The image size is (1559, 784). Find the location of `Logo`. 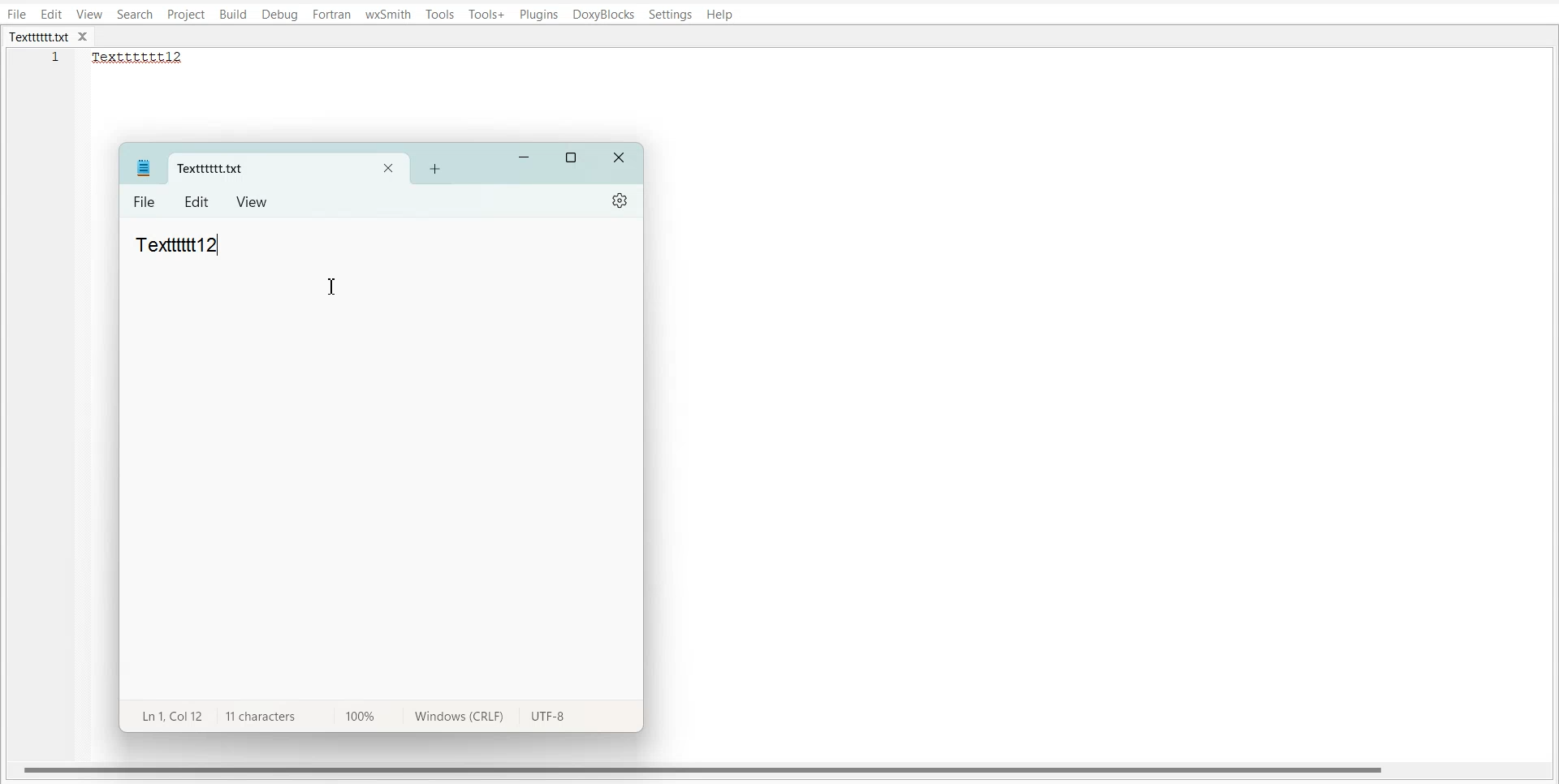

Logo is located at coordinates (143, 167).